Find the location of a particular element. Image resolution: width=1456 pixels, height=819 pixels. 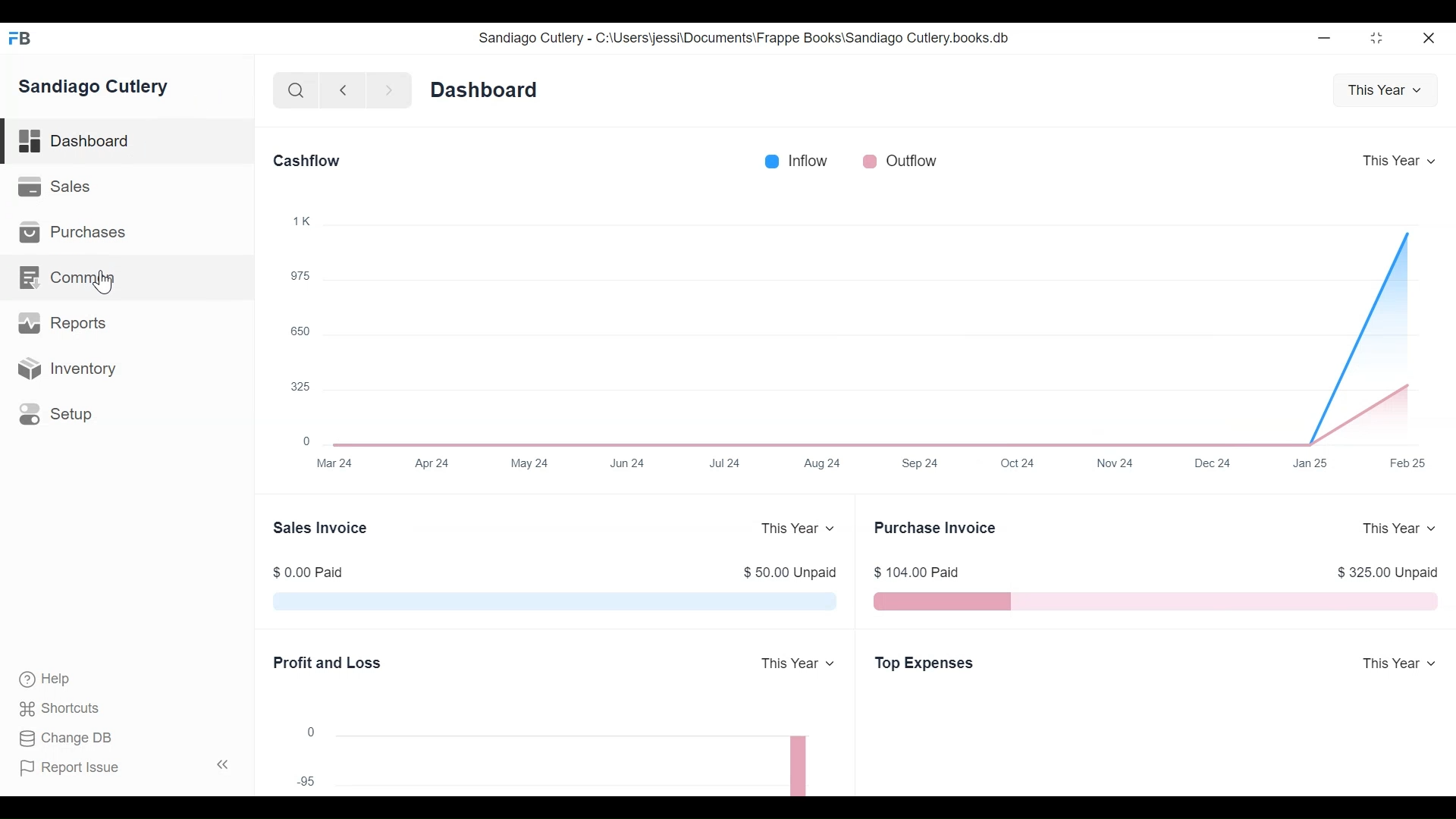

Inventory is located at coordinates (65, 369).